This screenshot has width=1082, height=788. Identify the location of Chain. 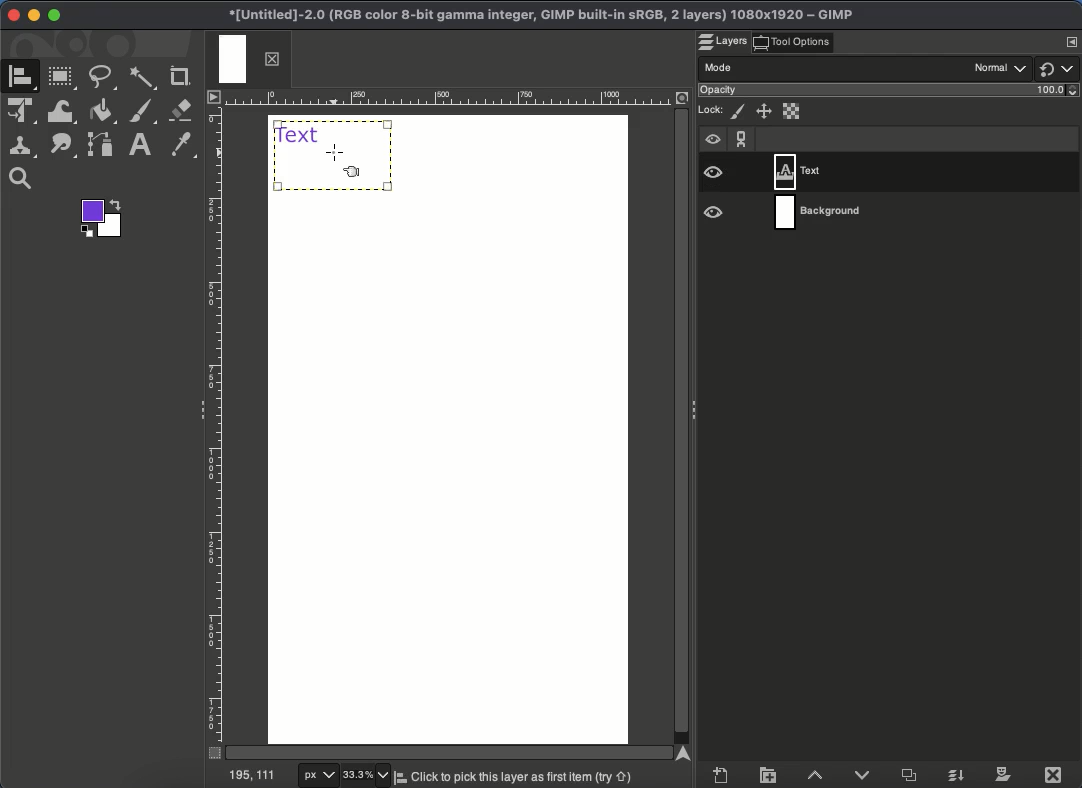
(742, 138).